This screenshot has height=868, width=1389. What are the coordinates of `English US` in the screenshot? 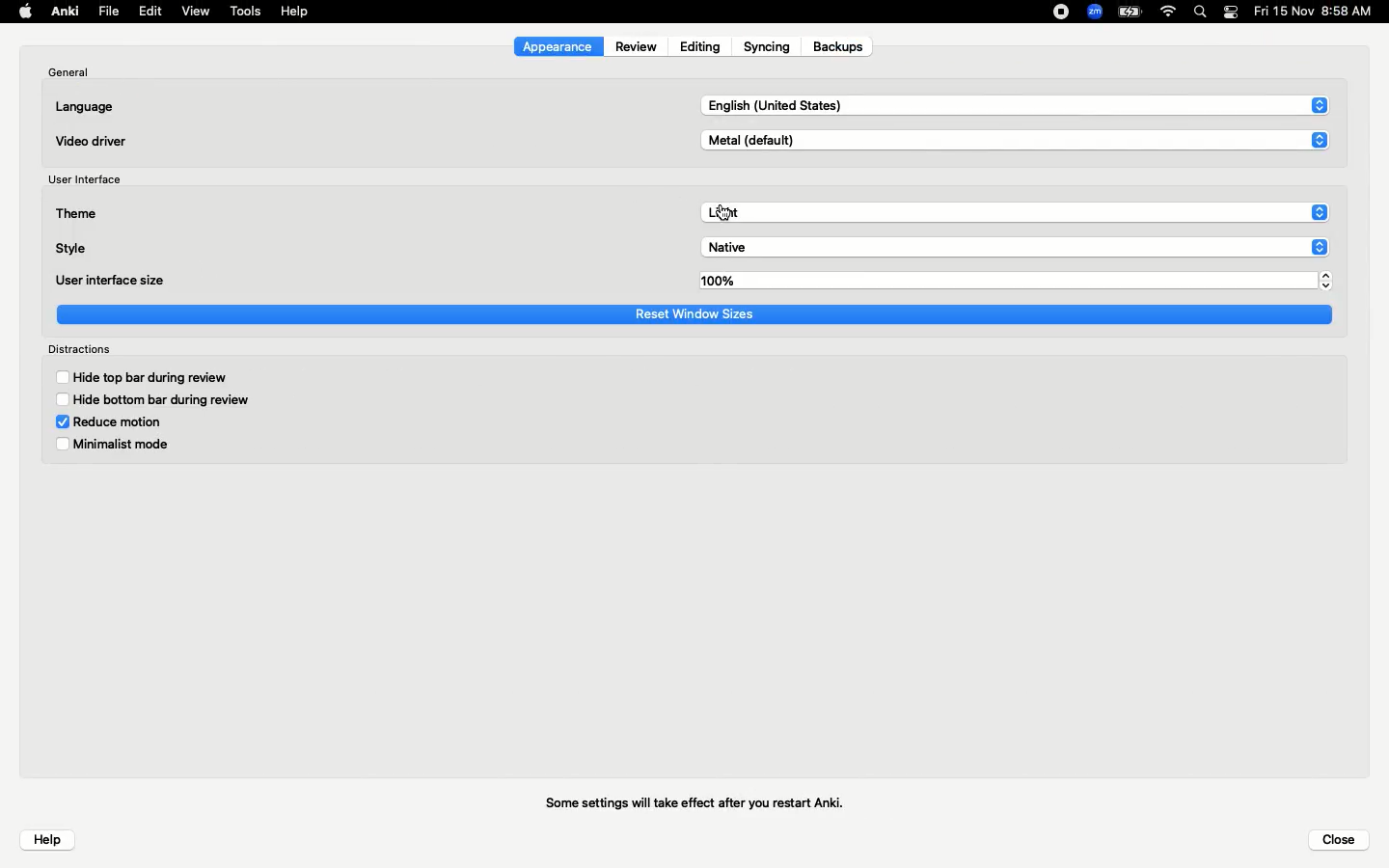 It's located at (1012, 104).